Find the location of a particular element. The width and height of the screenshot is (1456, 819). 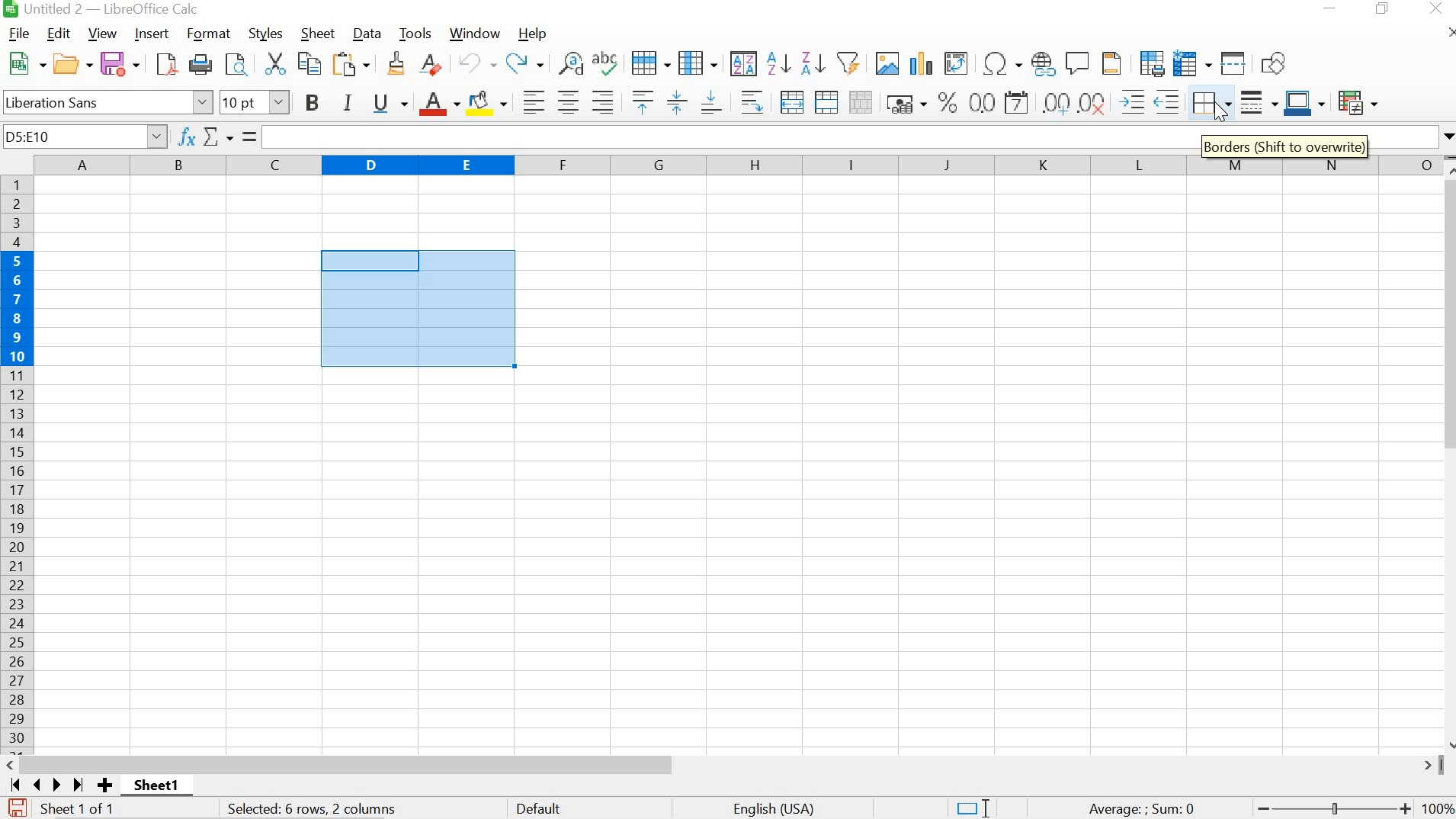

REDO is located at coordinates (525, 64).